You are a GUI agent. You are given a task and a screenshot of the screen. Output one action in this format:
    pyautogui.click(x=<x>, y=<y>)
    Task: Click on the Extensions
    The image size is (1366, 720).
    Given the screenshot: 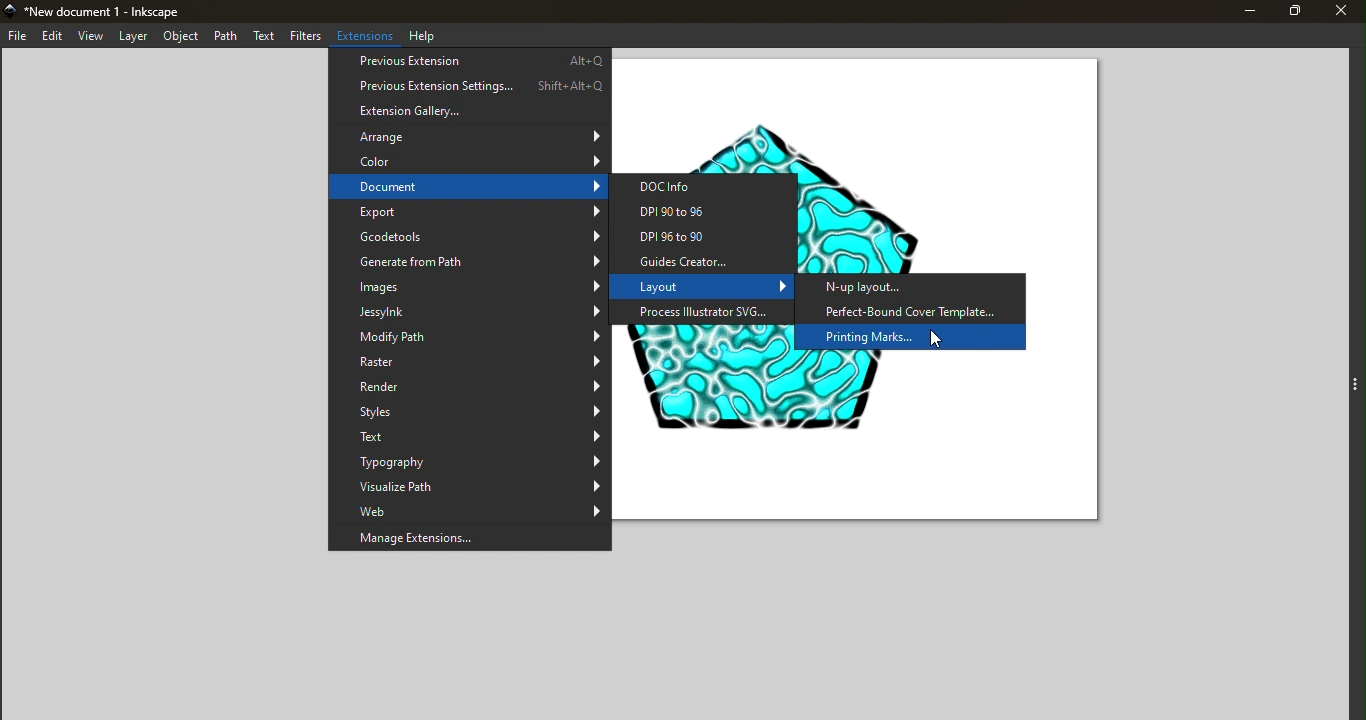 What is the action you would take?
    pyautogui.click(x=367, y=35)
    